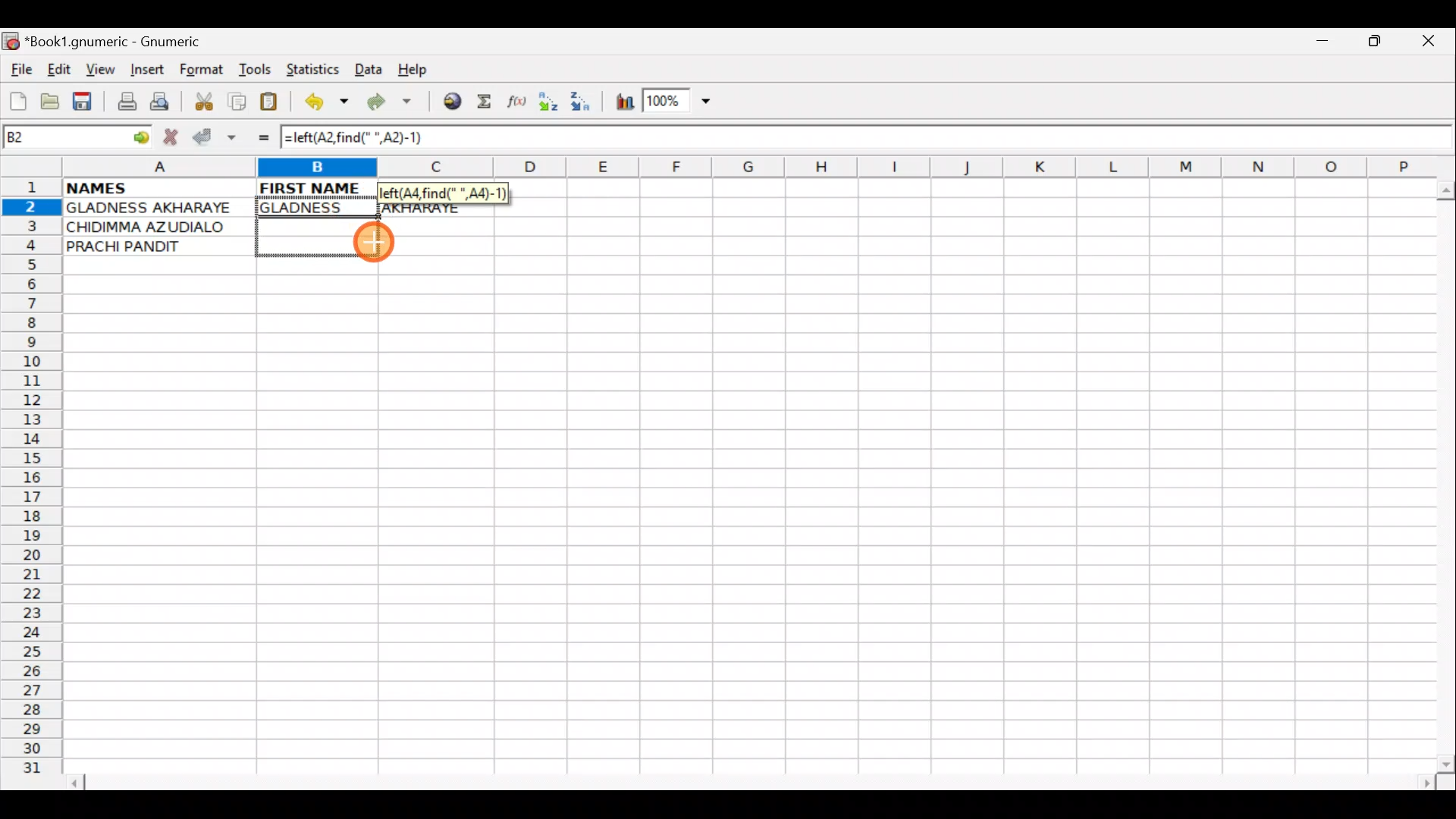 Image resolution: width=1456 pixels, height=819 pixels. I want to click on Save current workbook, so click(86, 102).